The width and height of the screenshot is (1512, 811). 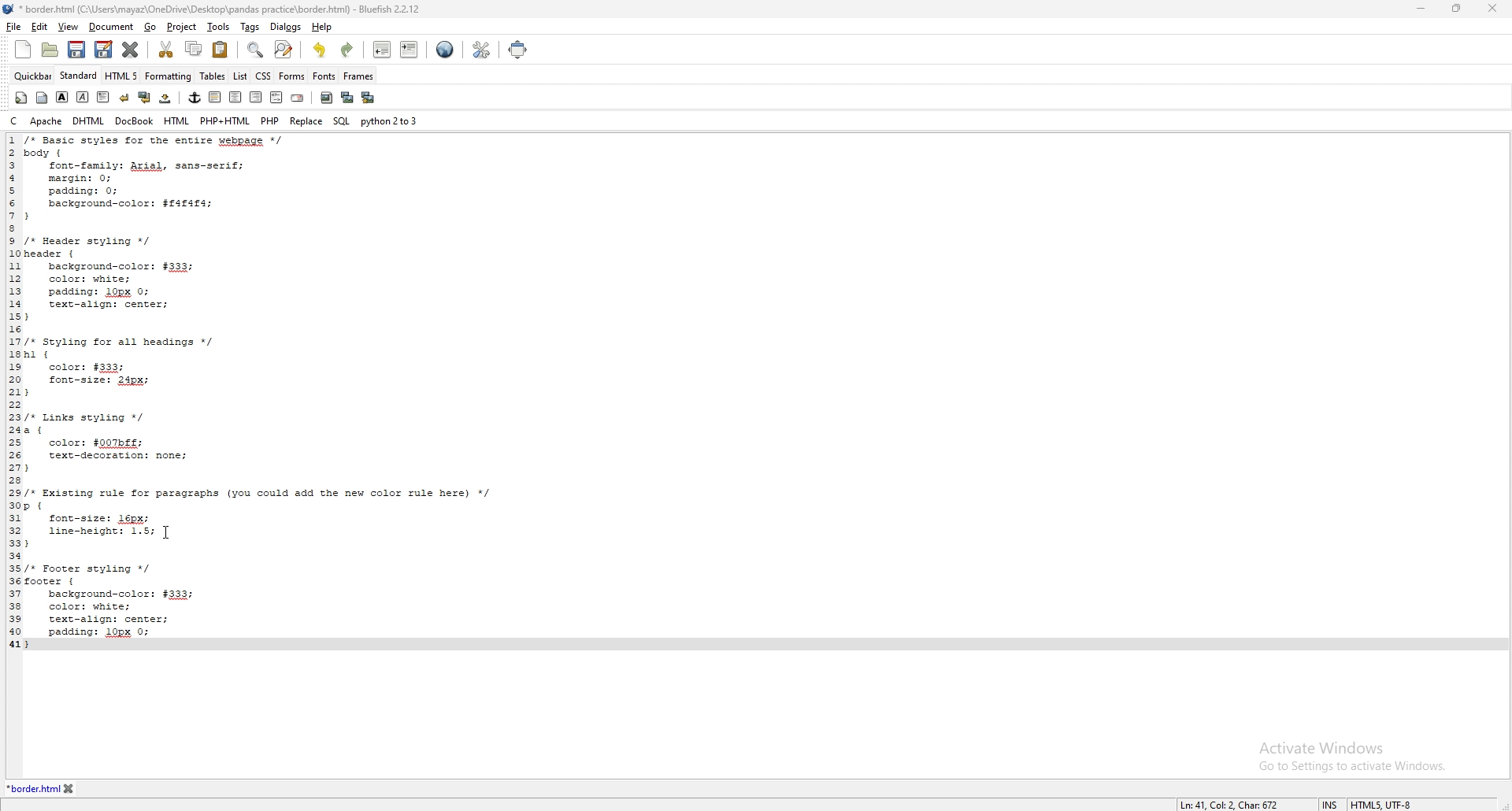 I want to click on tags, so click(x=249, y=26).